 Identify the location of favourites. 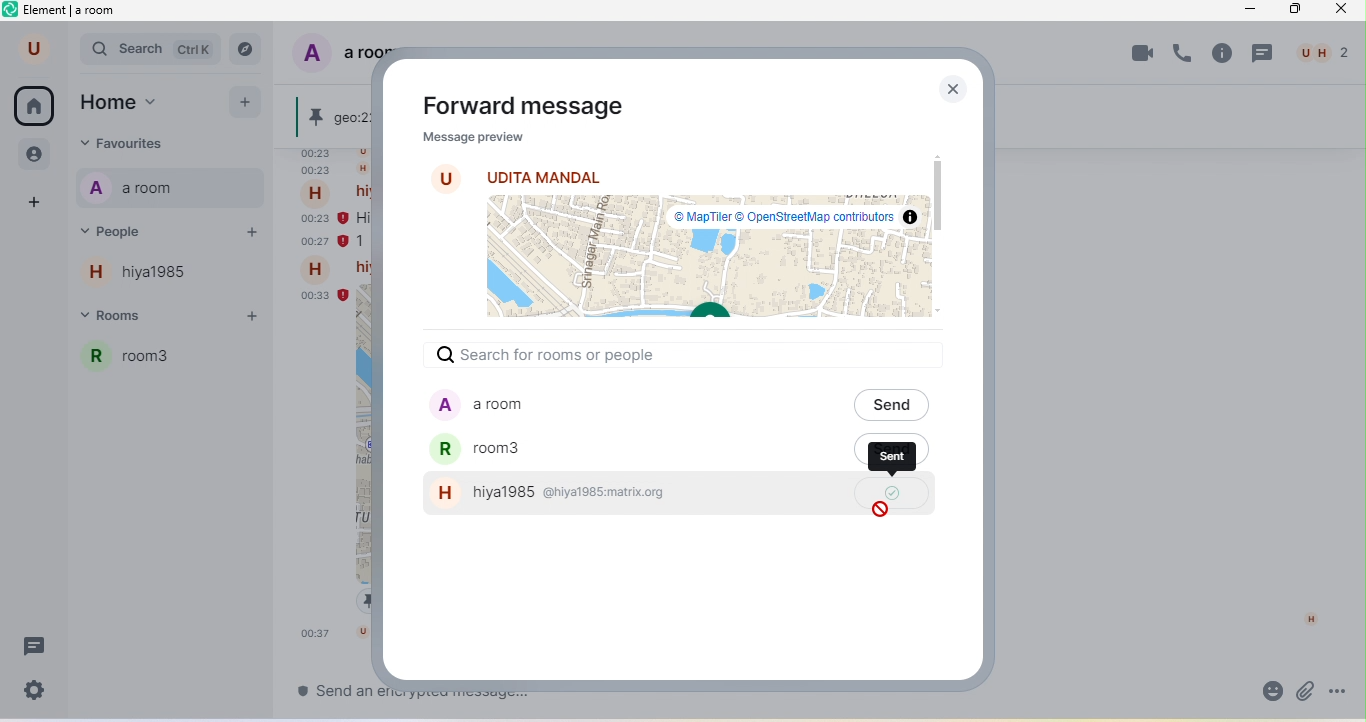
(155, 143).